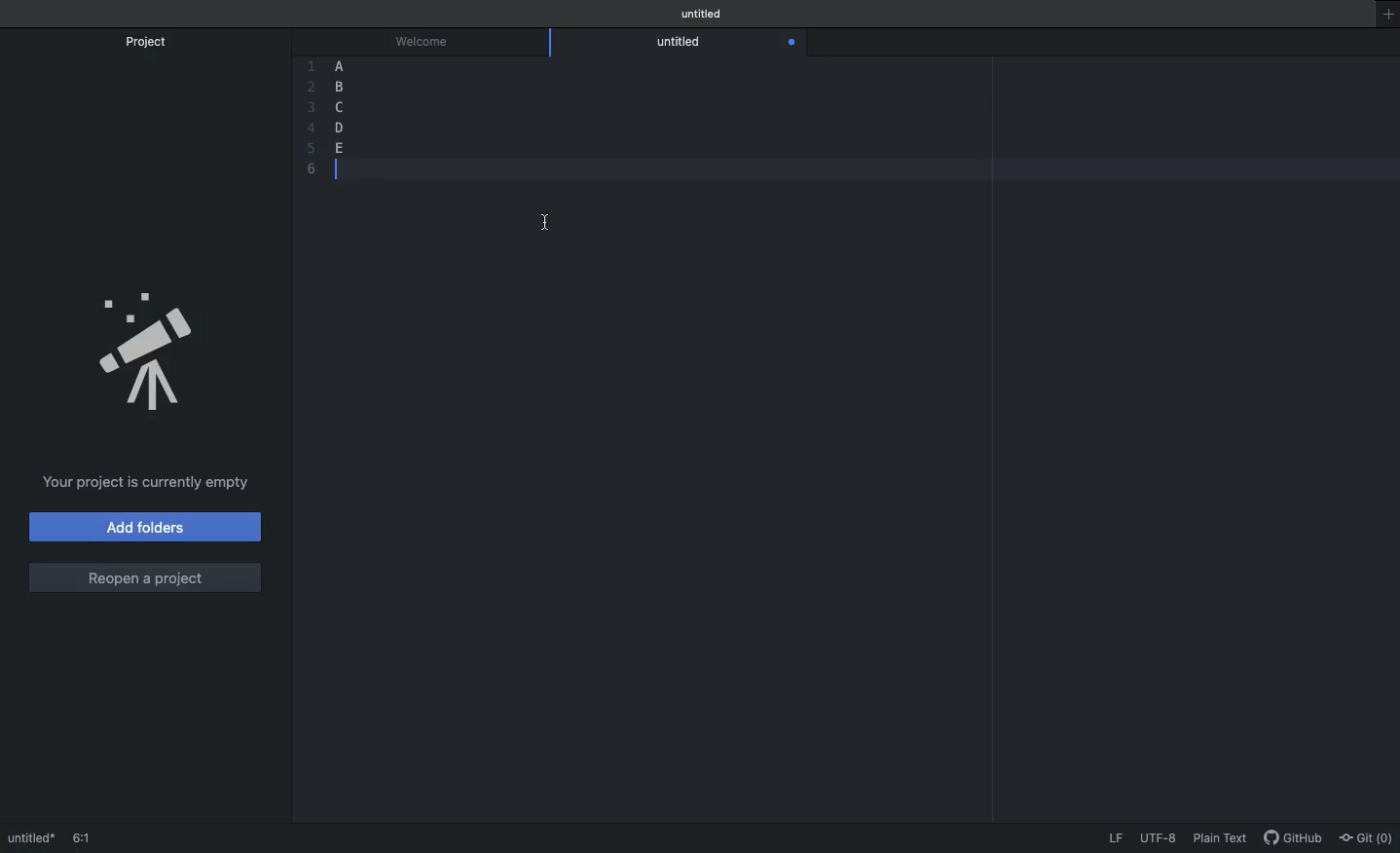 This screenshot has height=853, width=1400. What do you see at coordinates (683, 42) in the screenshot?
I see `untitled` at bounding box center [683, 42].